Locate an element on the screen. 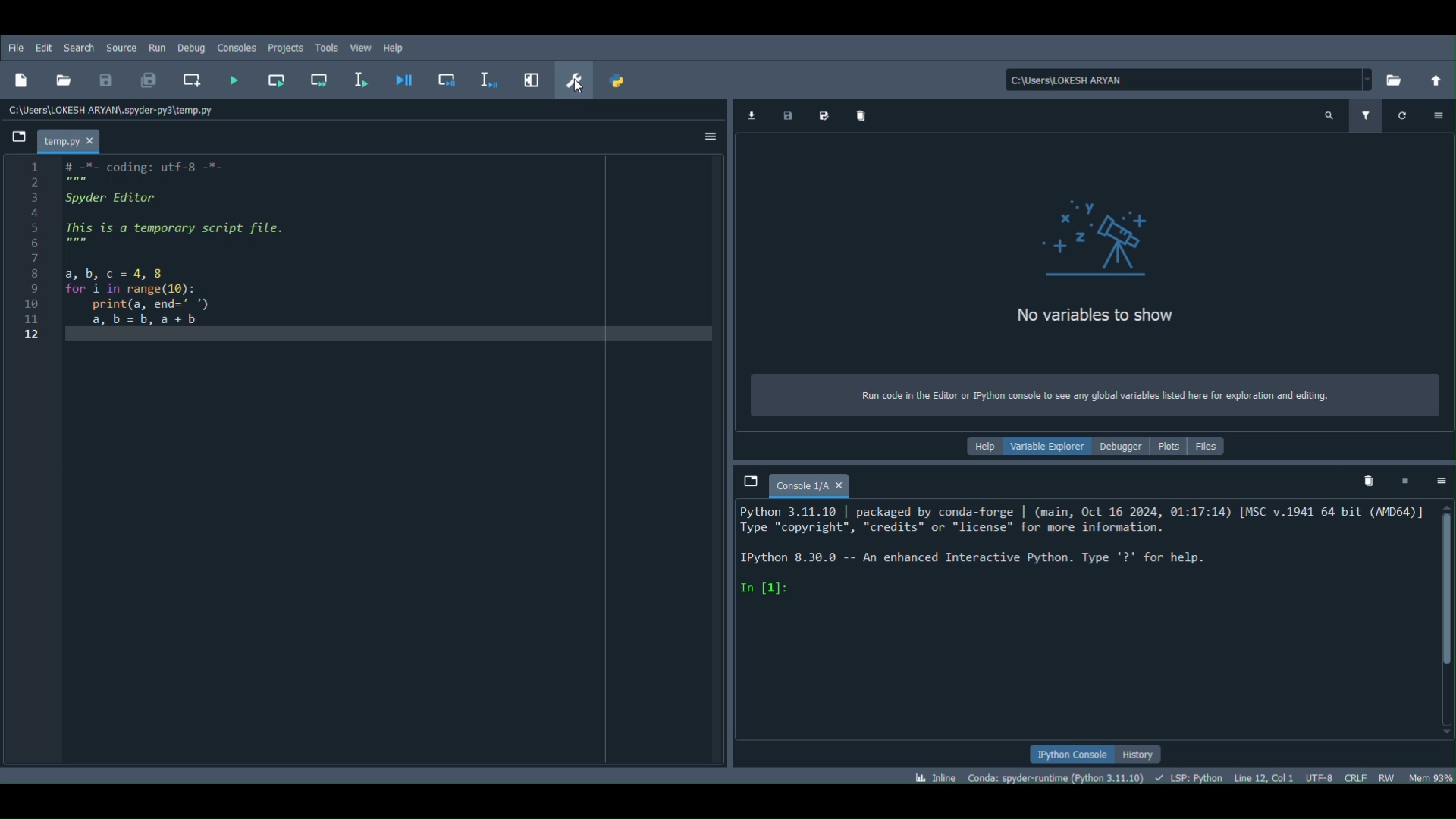 The image size is (1456, 819). Debug cell is located at coordinates (450, 79).